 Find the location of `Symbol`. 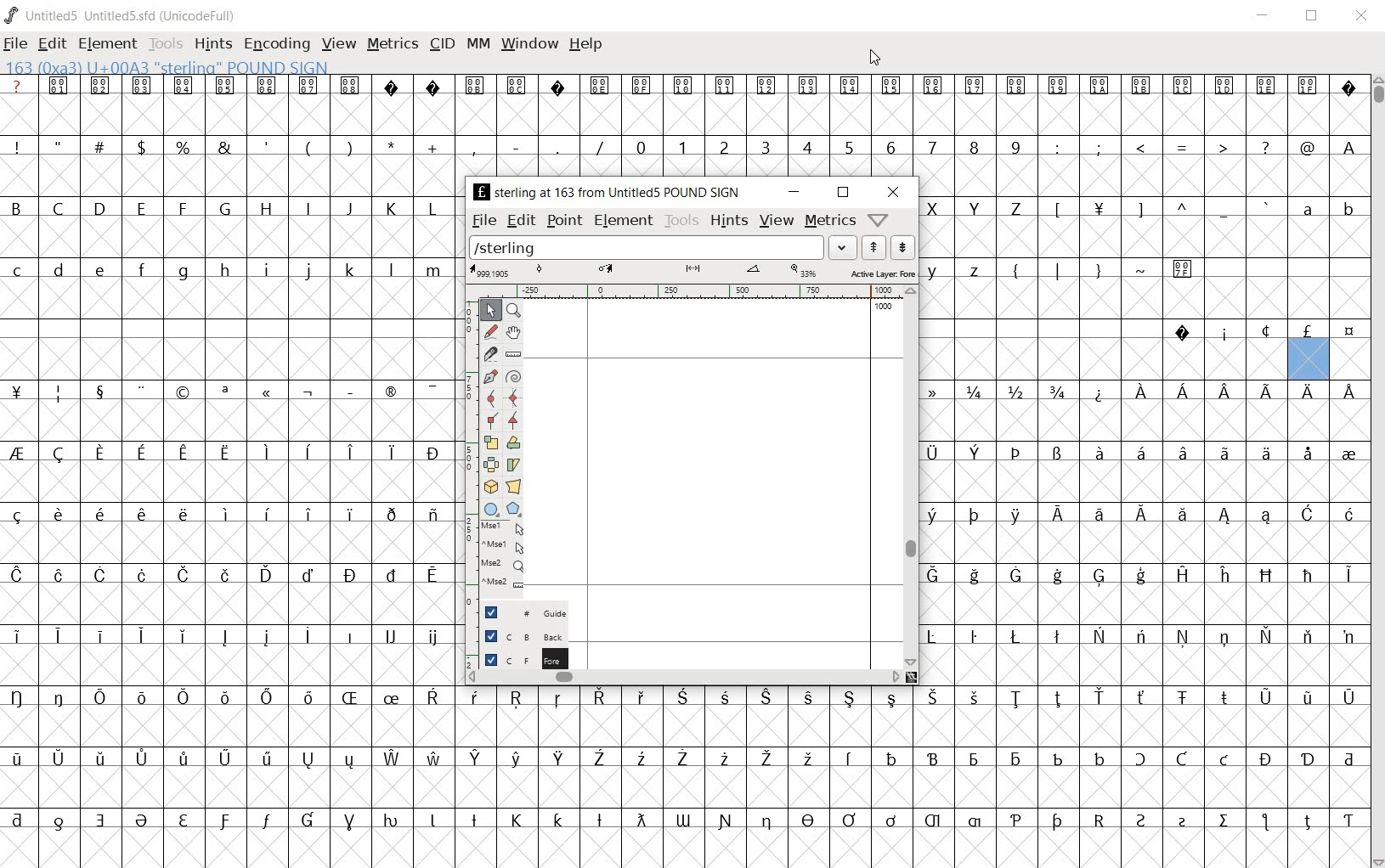

Symbol is located at coordinates (1348, 453).